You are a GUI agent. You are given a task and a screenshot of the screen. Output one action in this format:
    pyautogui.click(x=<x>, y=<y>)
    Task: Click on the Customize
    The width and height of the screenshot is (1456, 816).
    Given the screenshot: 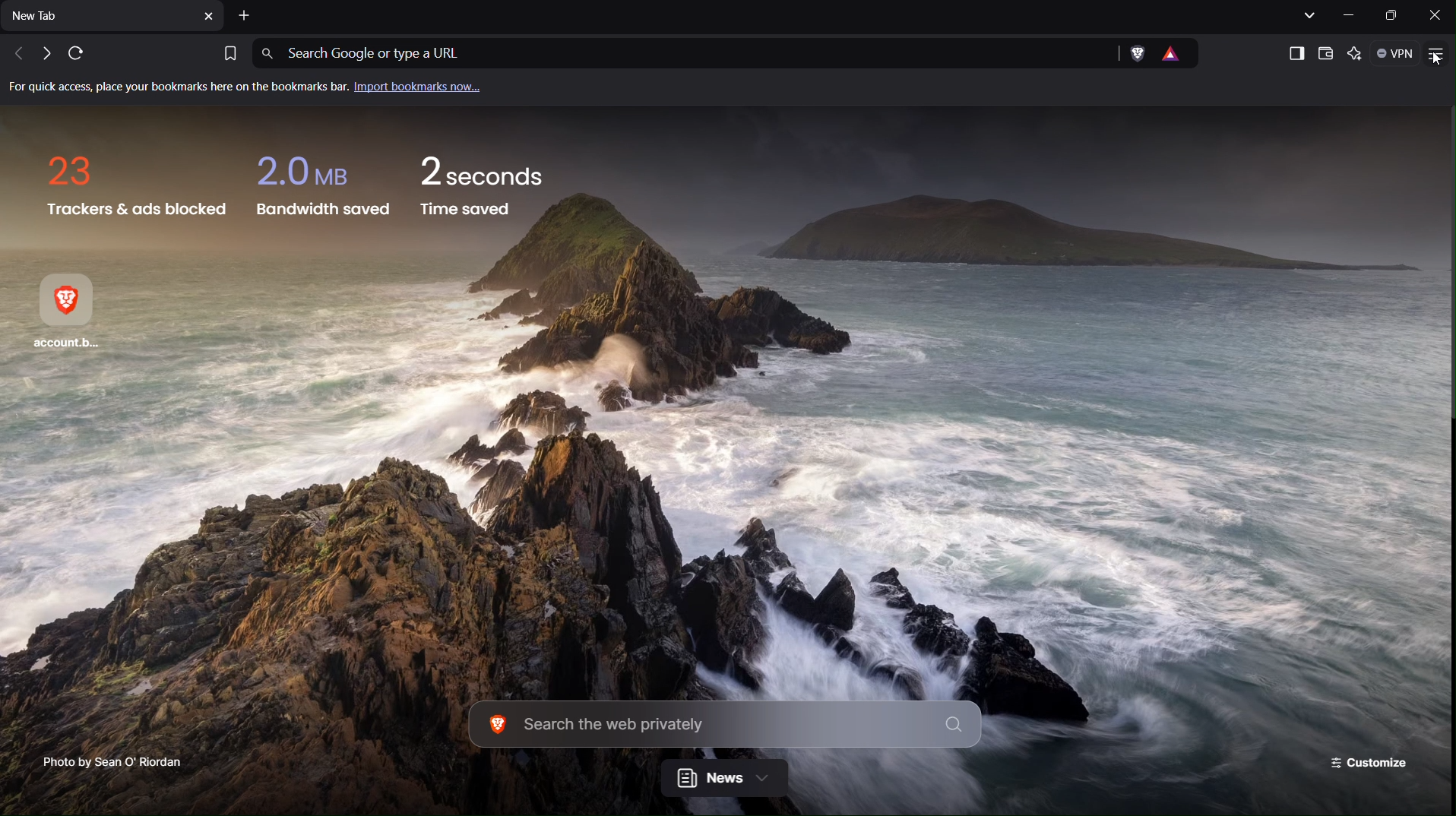 What is the action you would take?
    pyautogui.click(x=1372, y=763)
    